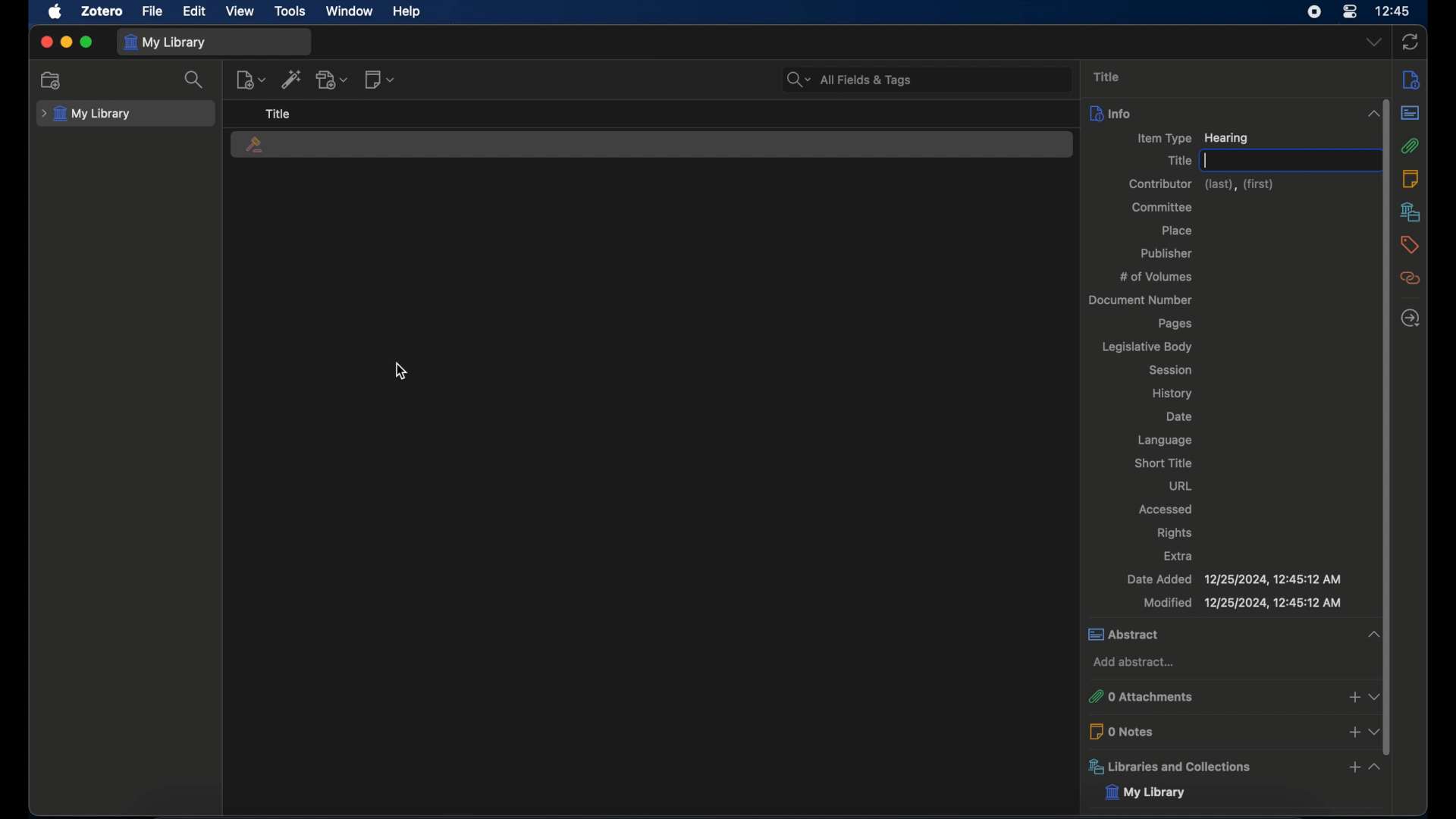 The image size is (1456, 819). Describe the element at coordinates (1173, 394) in the screenshot. I see `history` at that location.